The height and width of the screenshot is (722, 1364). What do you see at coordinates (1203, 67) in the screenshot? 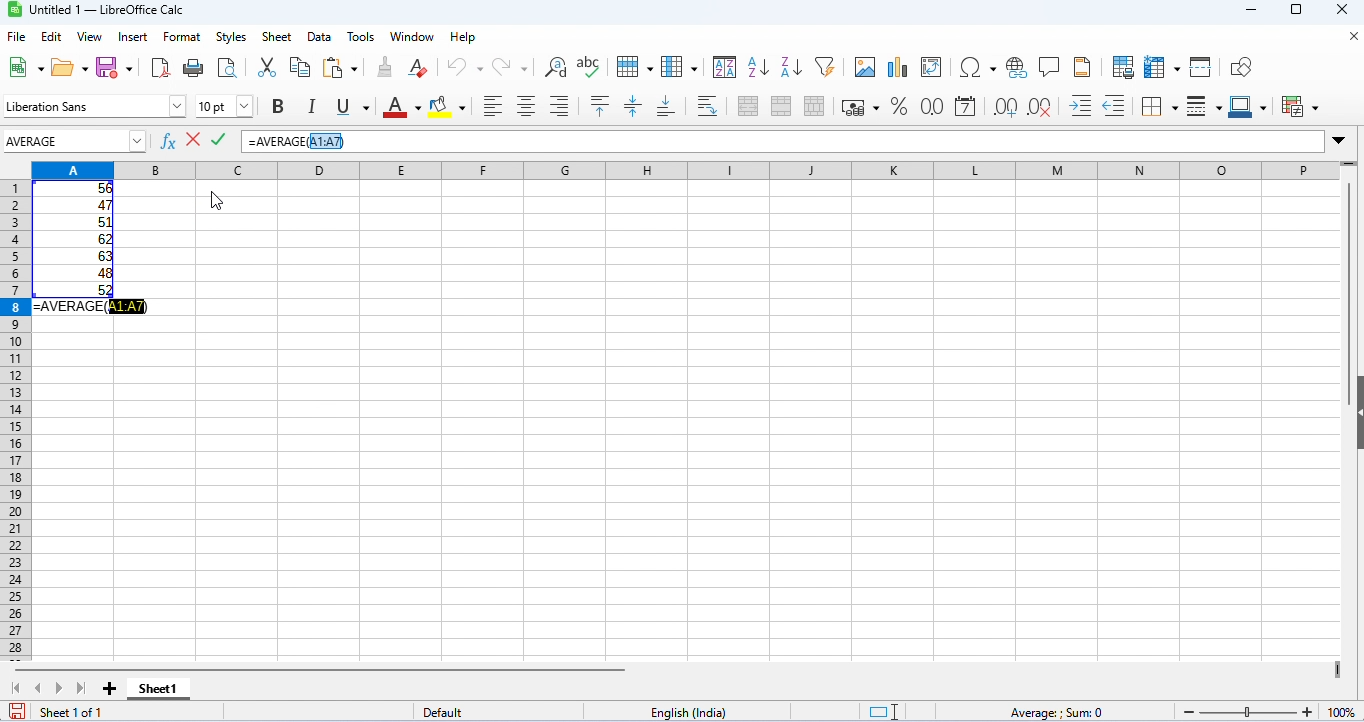
I see `split window` at bounding box center [1203, 67].